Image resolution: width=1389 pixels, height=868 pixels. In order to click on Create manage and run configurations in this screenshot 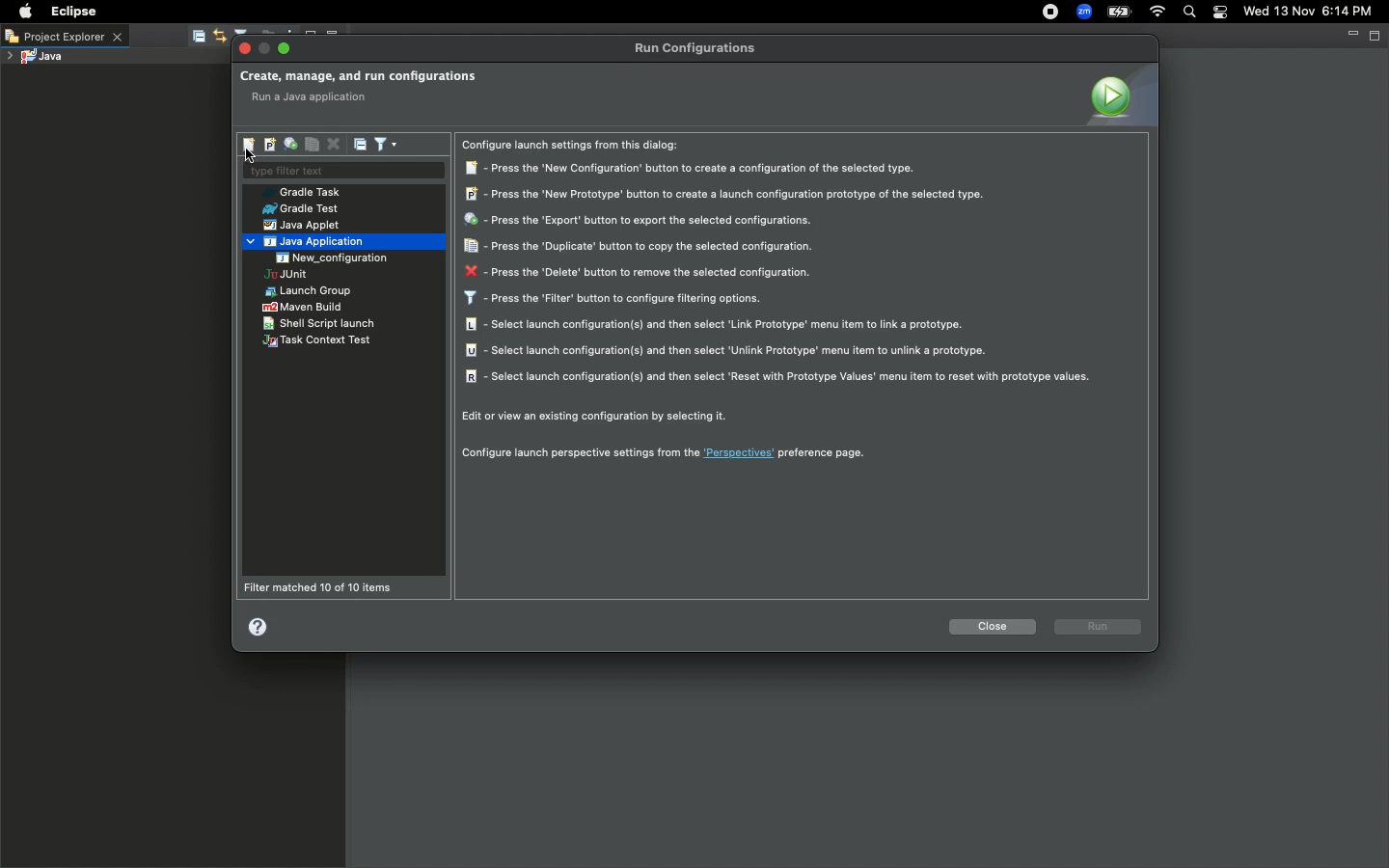, I will do `click(358, 77)`.